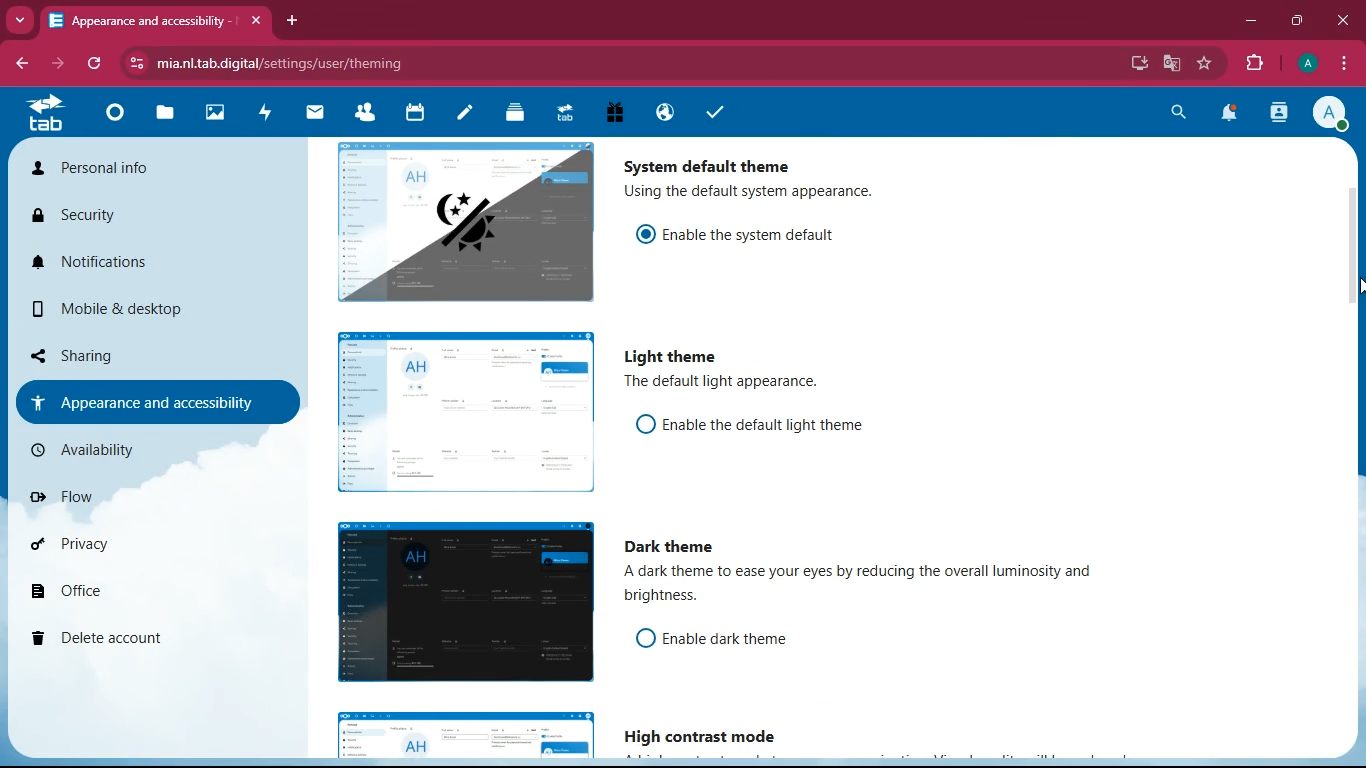  I want to click on close, so click(1344, 19).